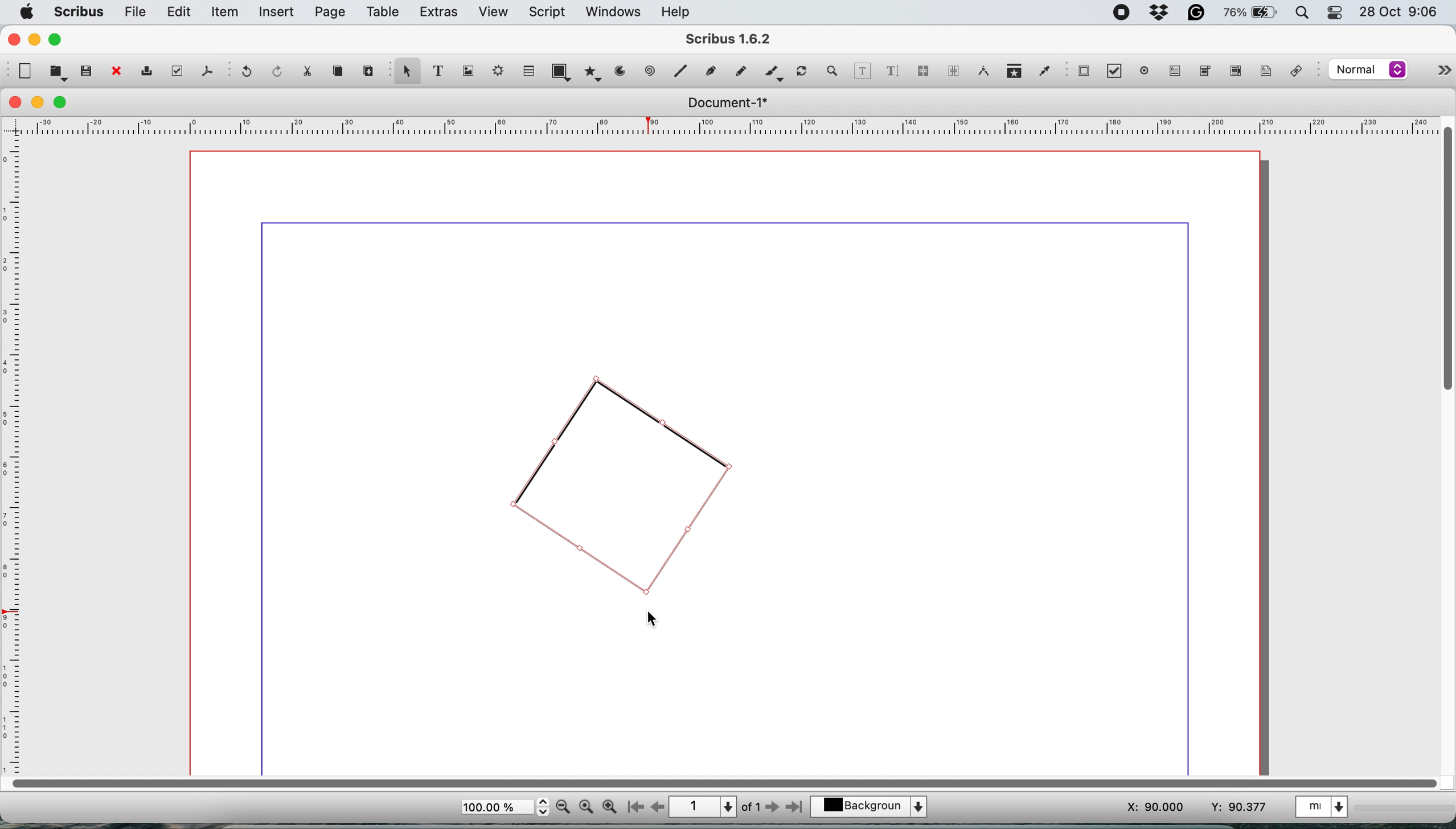 The height and width of the screenshot is (829, 1456). Describe the element at coordinates (313, 73) in the screenshot. I see `cut` at that location.